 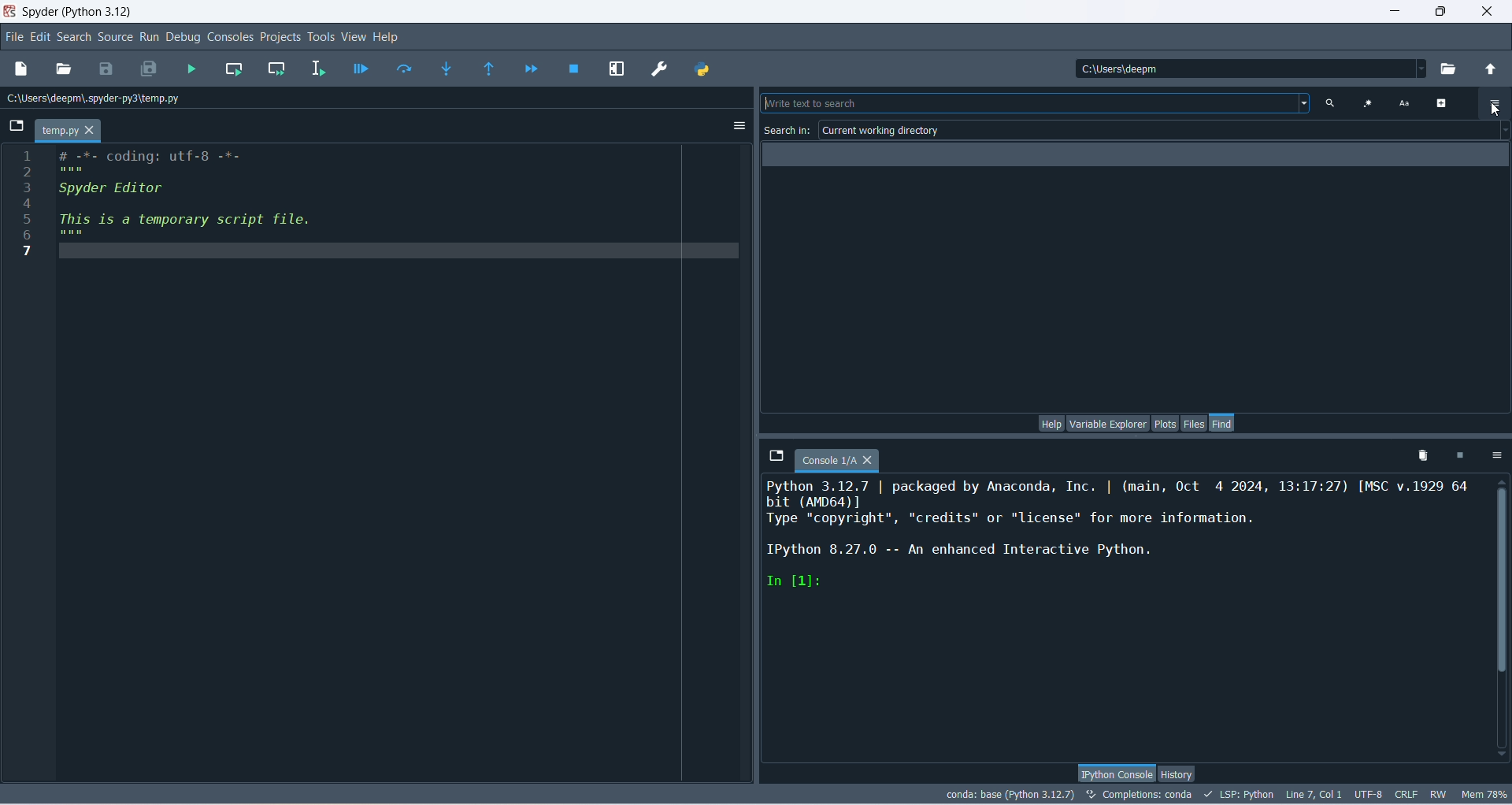 What do you see at coordinates (1176, 775) in the screenshot?
I see `history` at bounding box center [1176, 775].